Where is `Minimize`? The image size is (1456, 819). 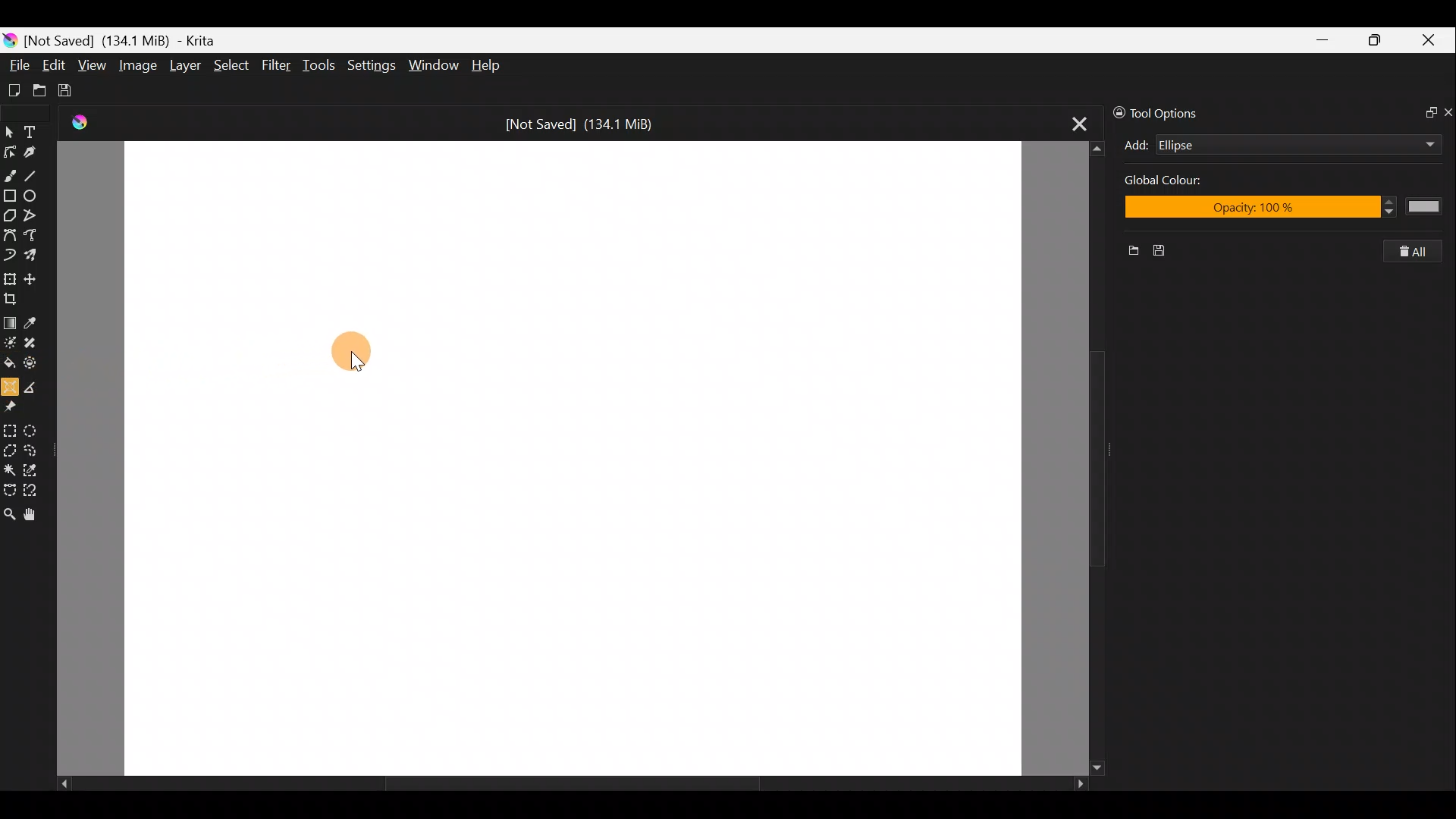 Minimize is located at coordinates (1324, 39).